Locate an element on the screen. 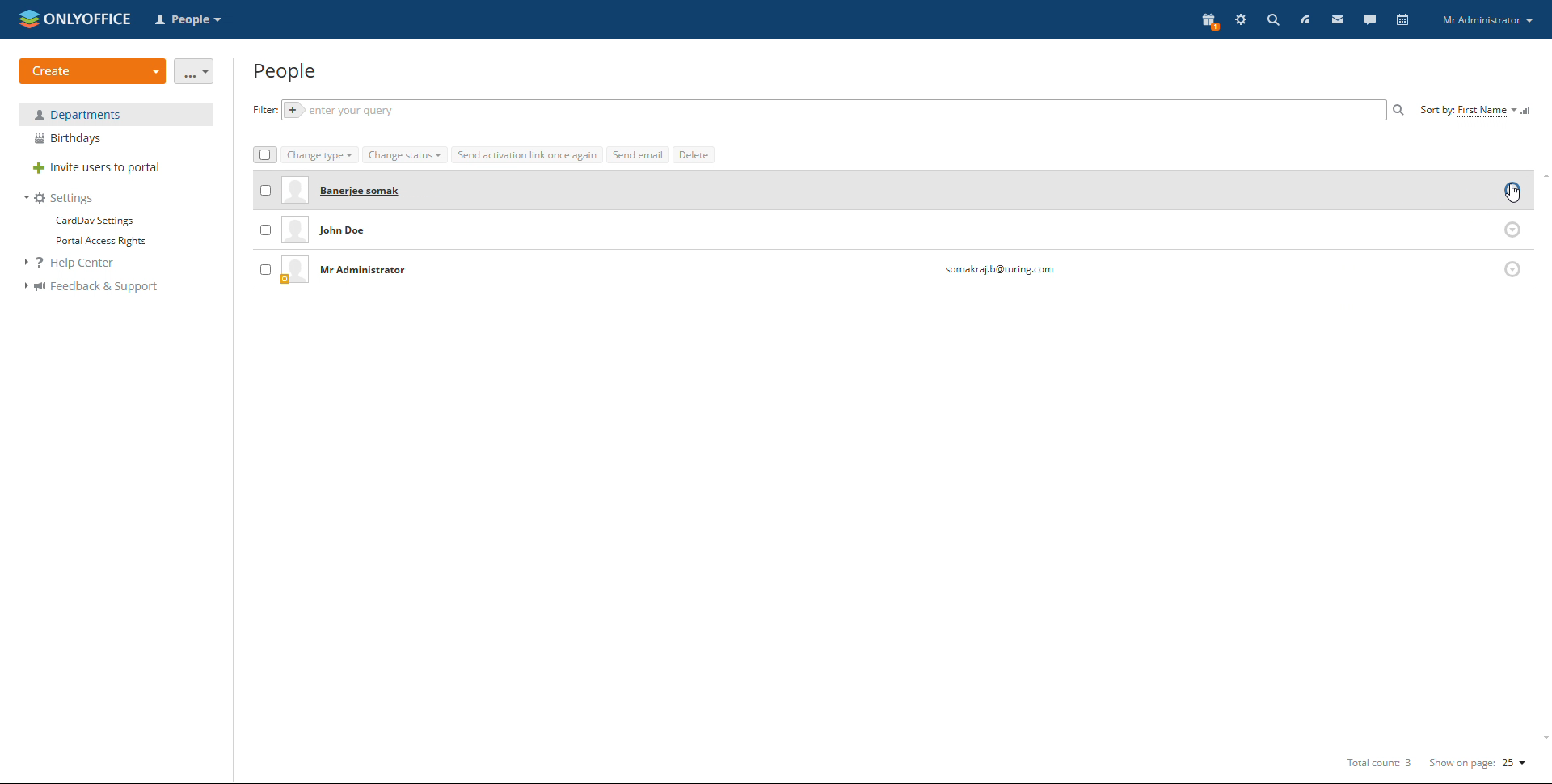  carddev settings is located at coordinates (93, 221).